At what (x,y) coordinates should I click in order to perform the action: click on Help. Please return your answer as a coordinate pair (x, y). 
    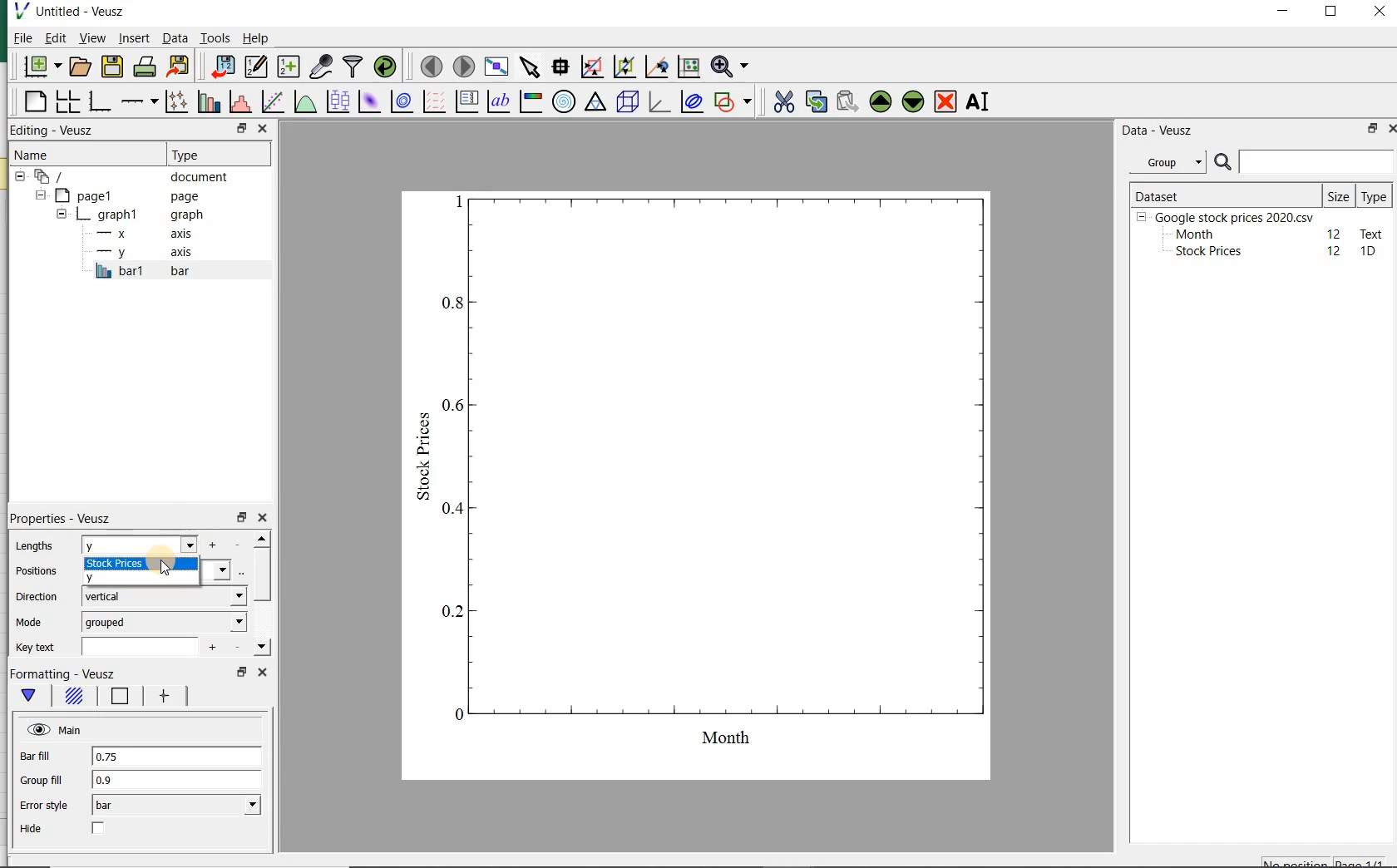
    Looking at the image, I should click on (258, 40).